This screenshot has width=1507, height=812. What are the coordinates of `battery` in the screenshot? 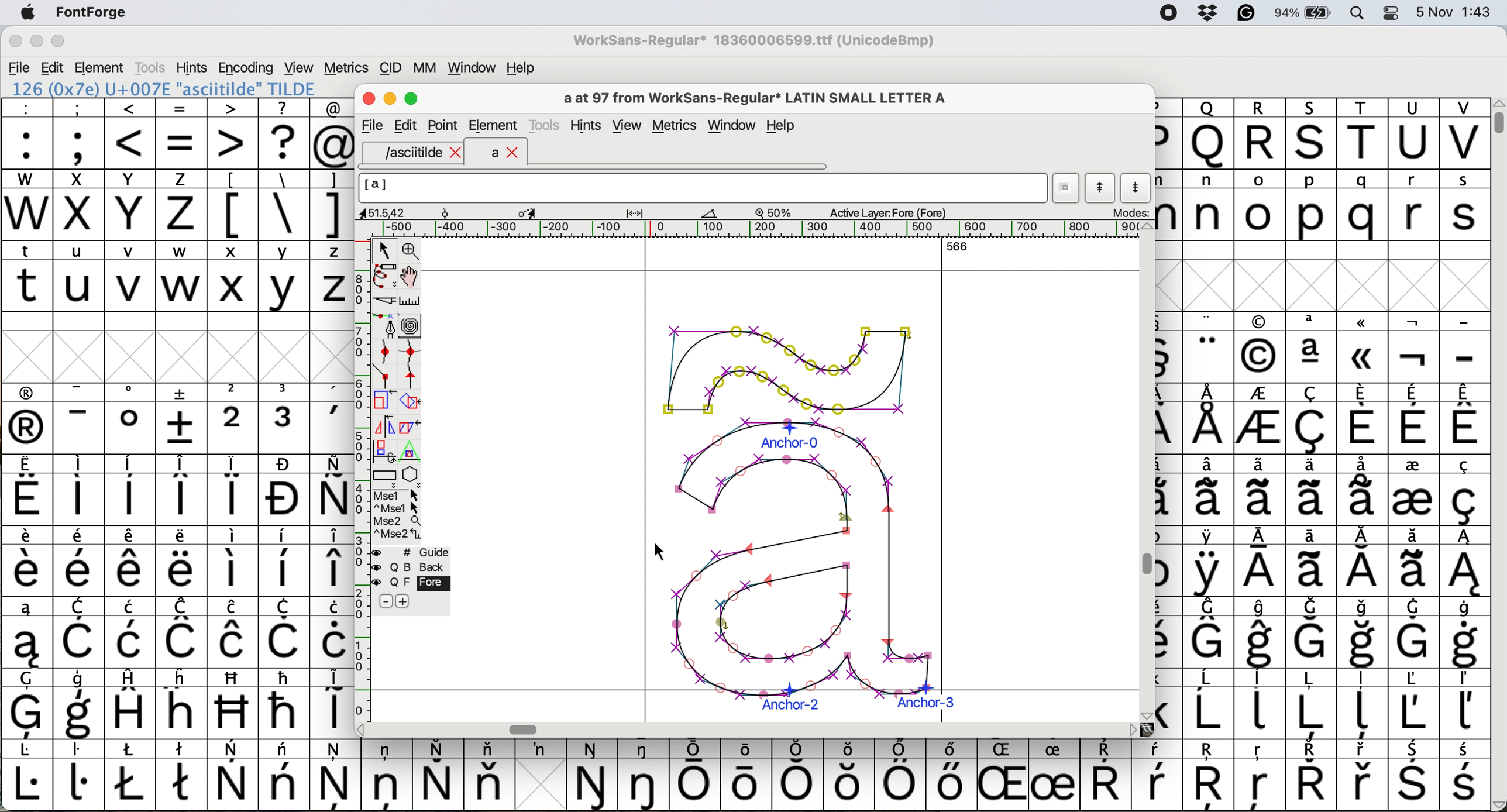 It's located at (1308, 12).